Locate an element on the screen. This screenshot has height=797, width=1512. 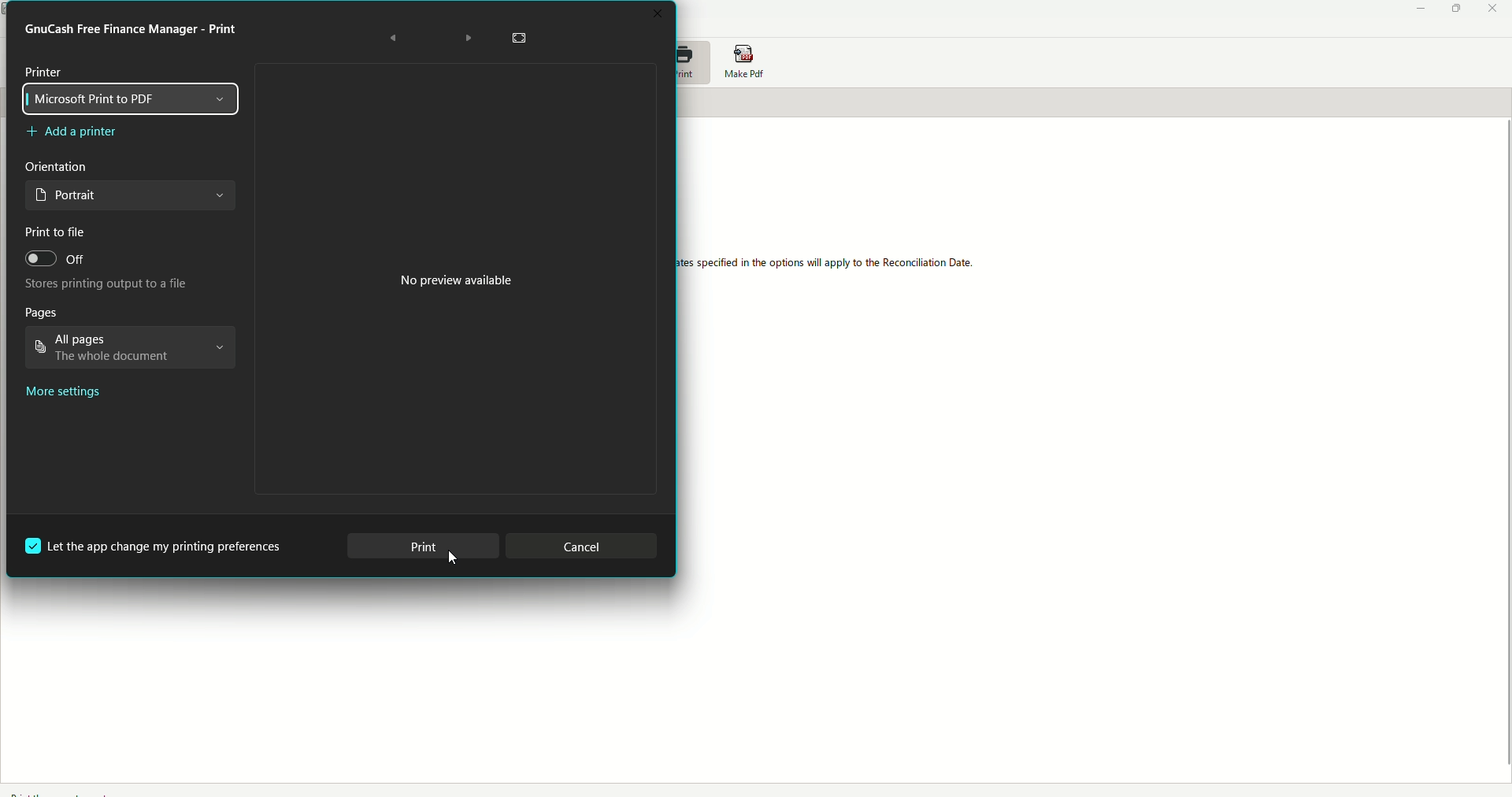
No preview available is located at coordinates (458, 282).